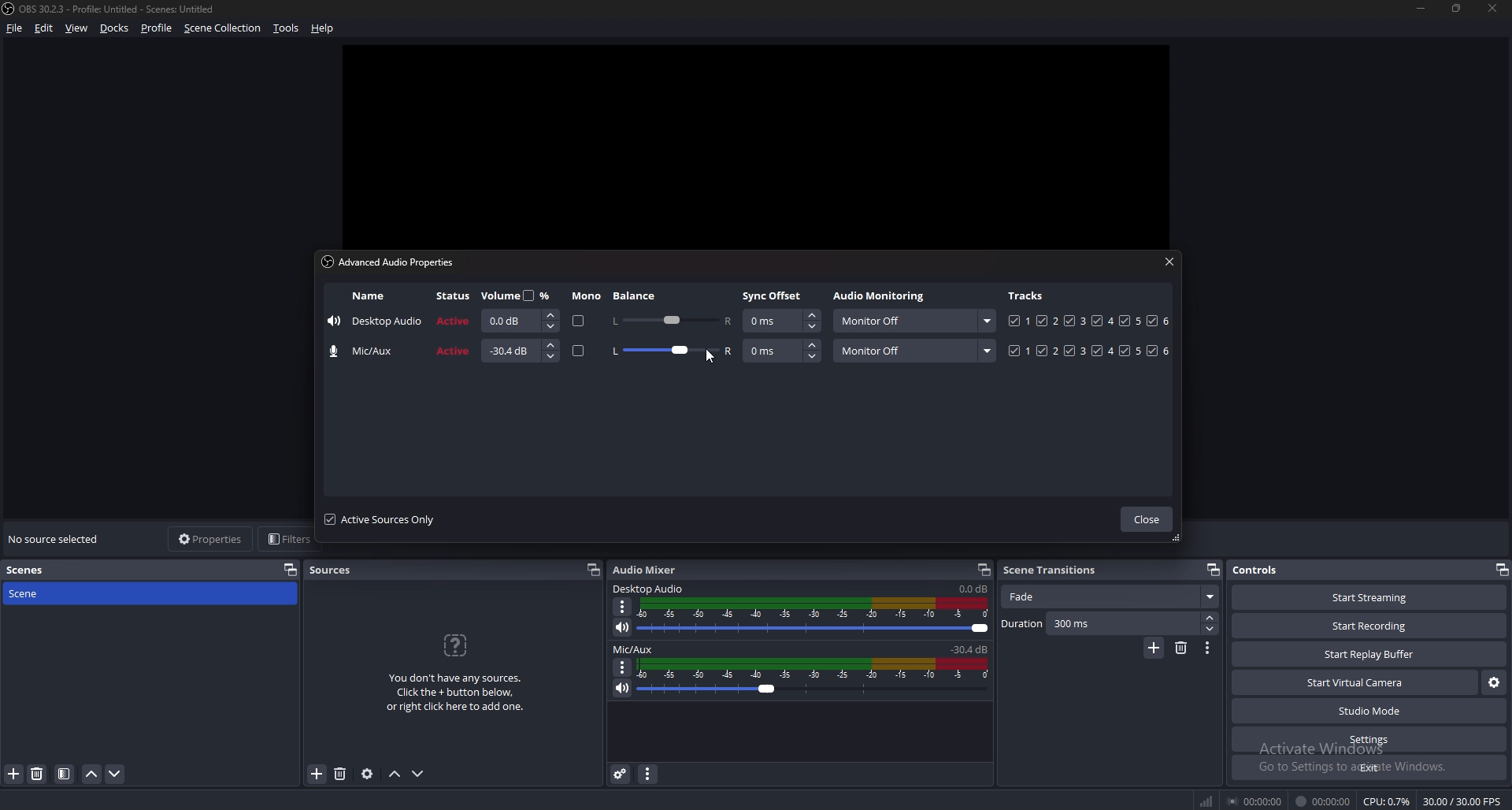 The image size is (1512, 810). I want to click on file, so click(17, 28).